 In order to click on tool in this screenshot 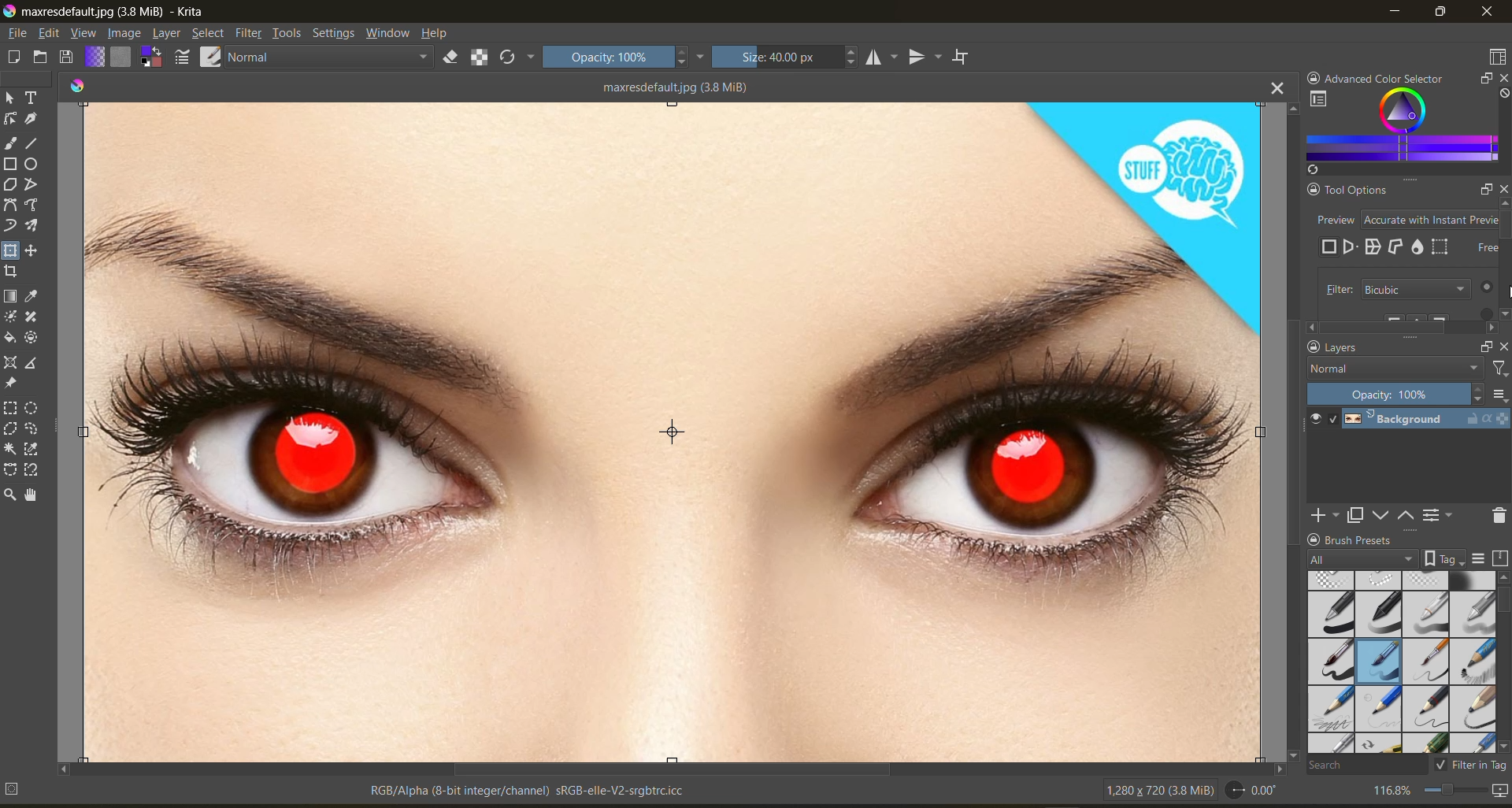, I will do `click(33, 470)`.